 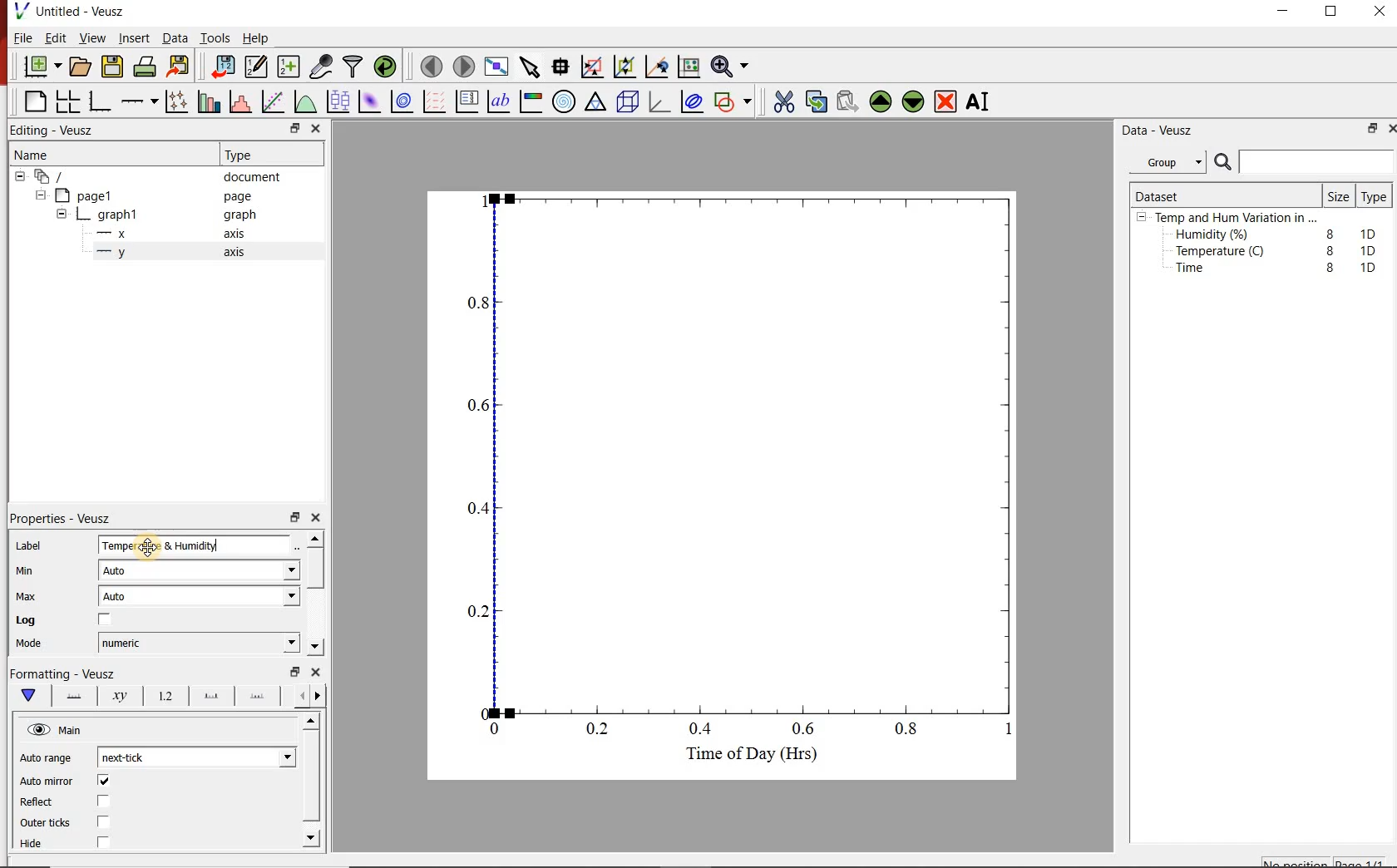 What do you see at coordinates (318, 591) in the screenshot?
I see `scroll bar` at bounding box center [318, 591].